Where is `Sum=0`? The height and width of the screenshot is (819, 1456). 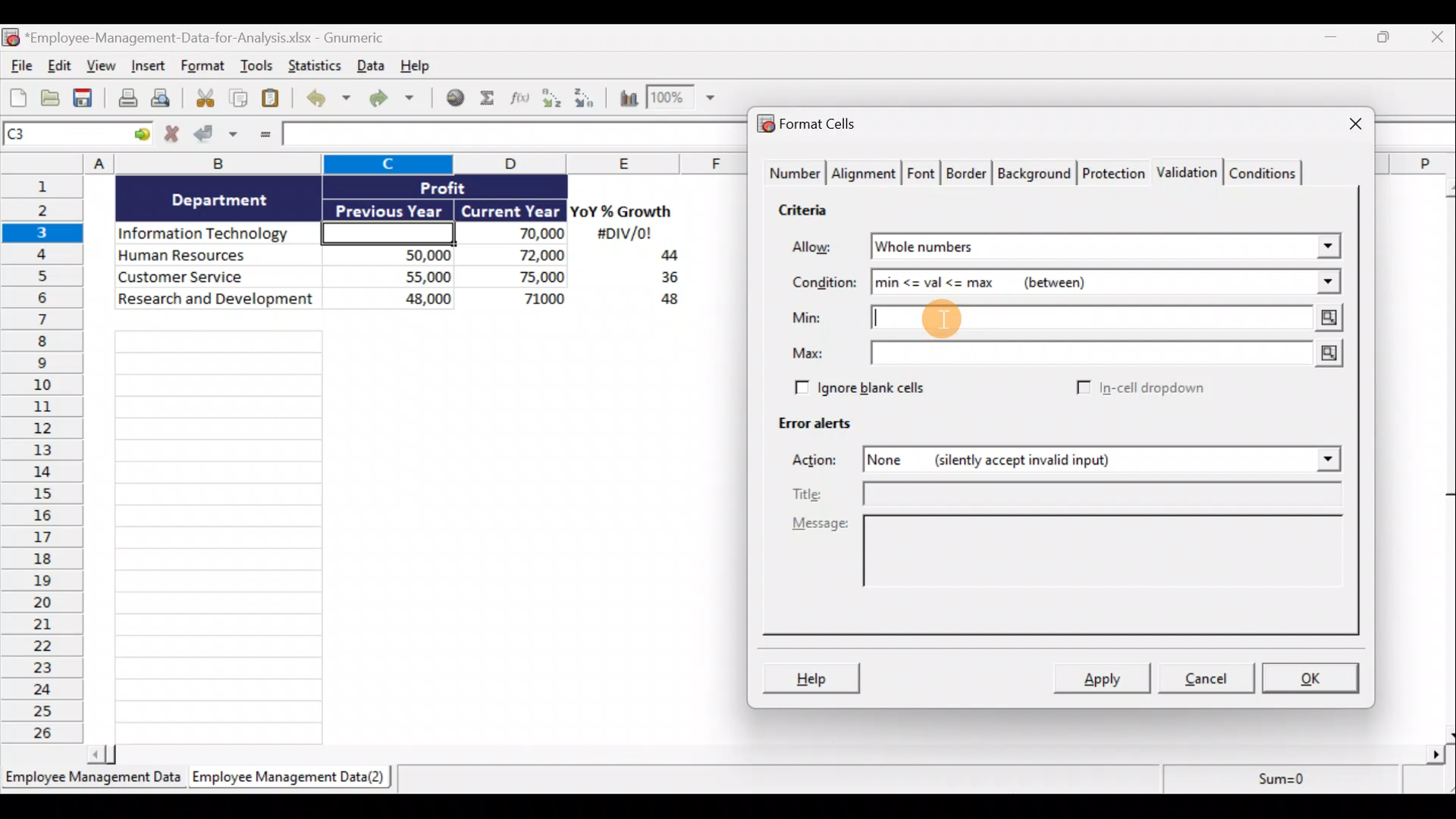
Sum=0 is located at coordinates (1275, 783).